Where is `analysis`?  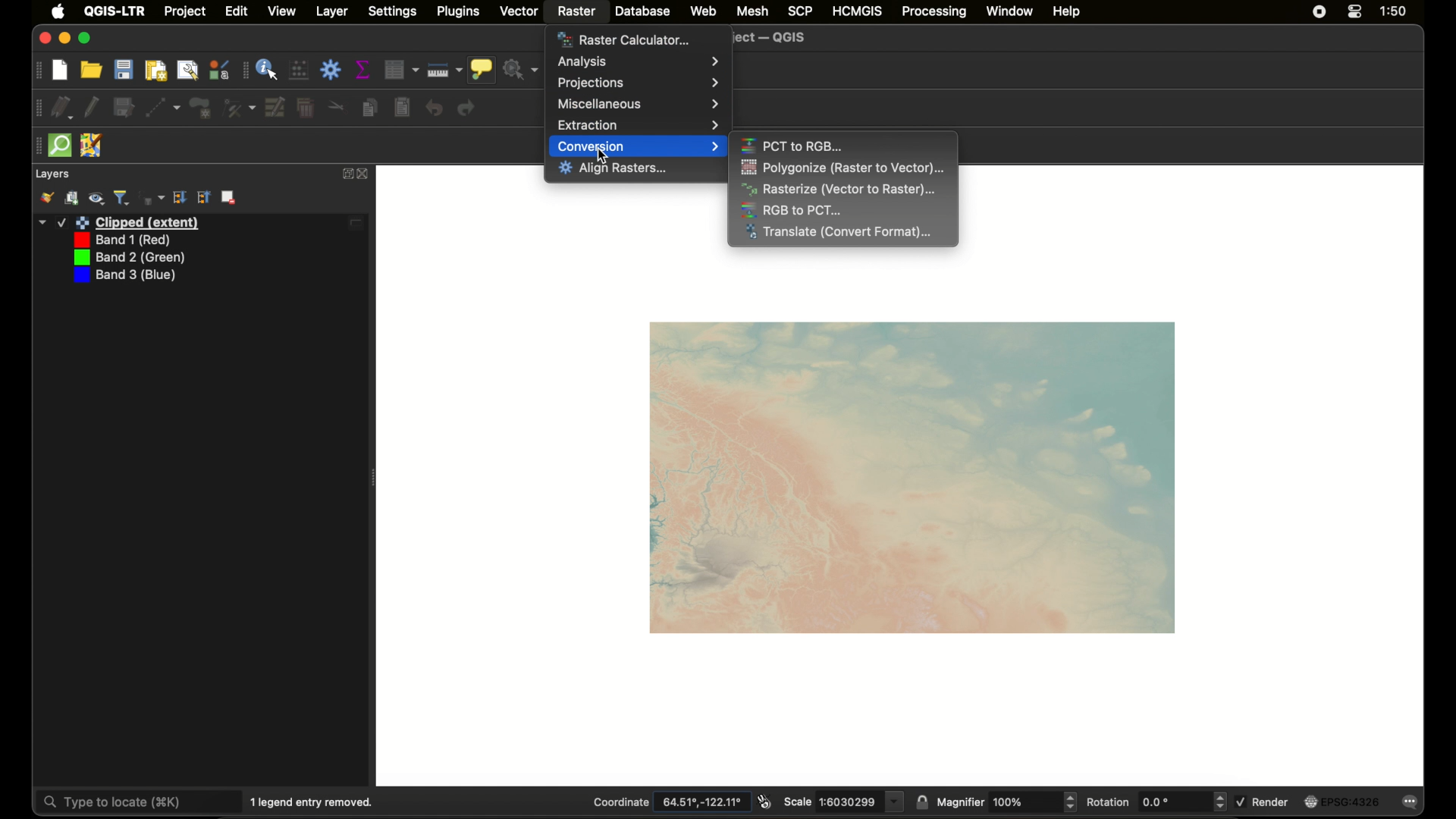
analysis is located at coordinates (639, 61).